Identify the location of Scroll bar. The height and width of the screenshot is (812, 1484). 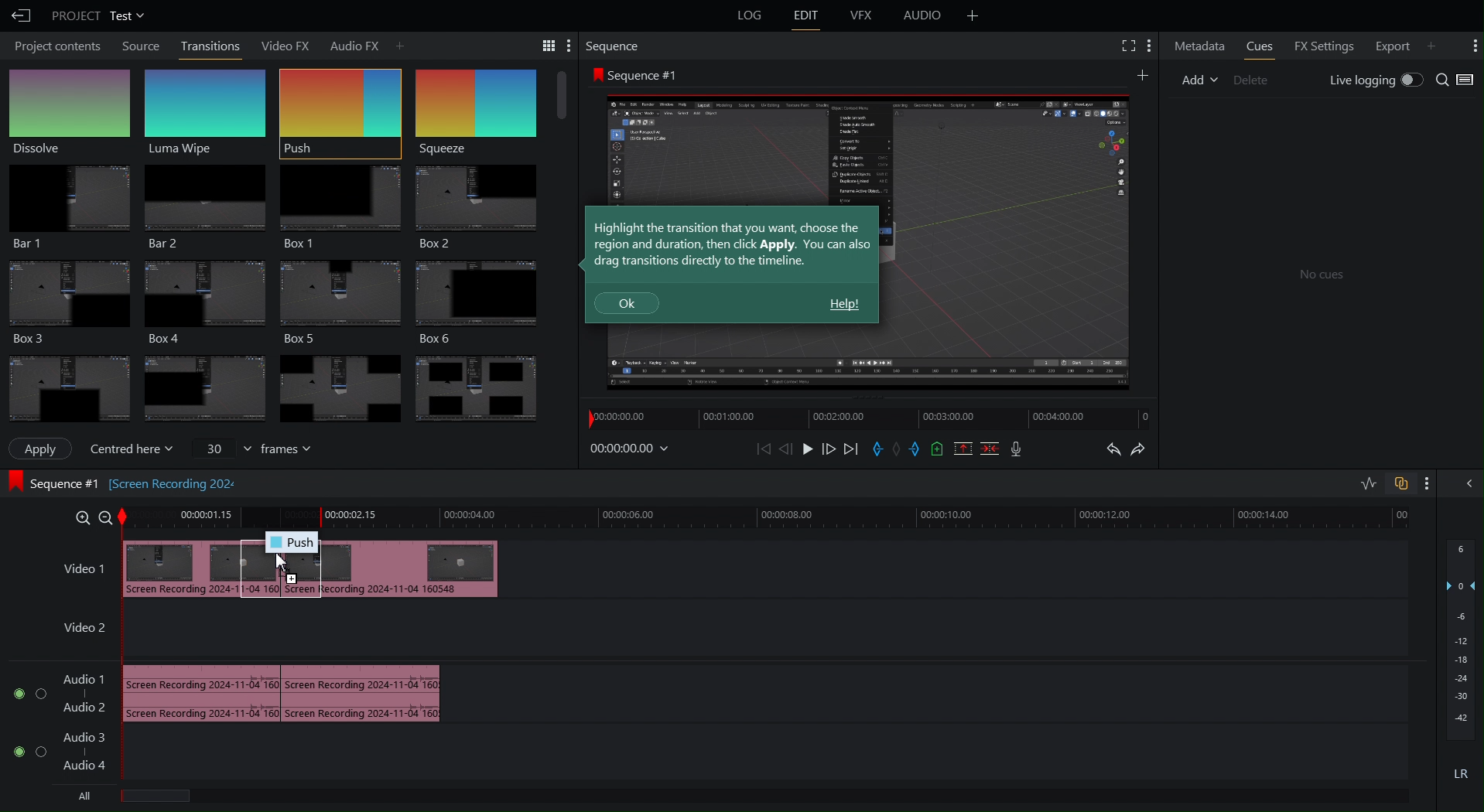
(562, 96).